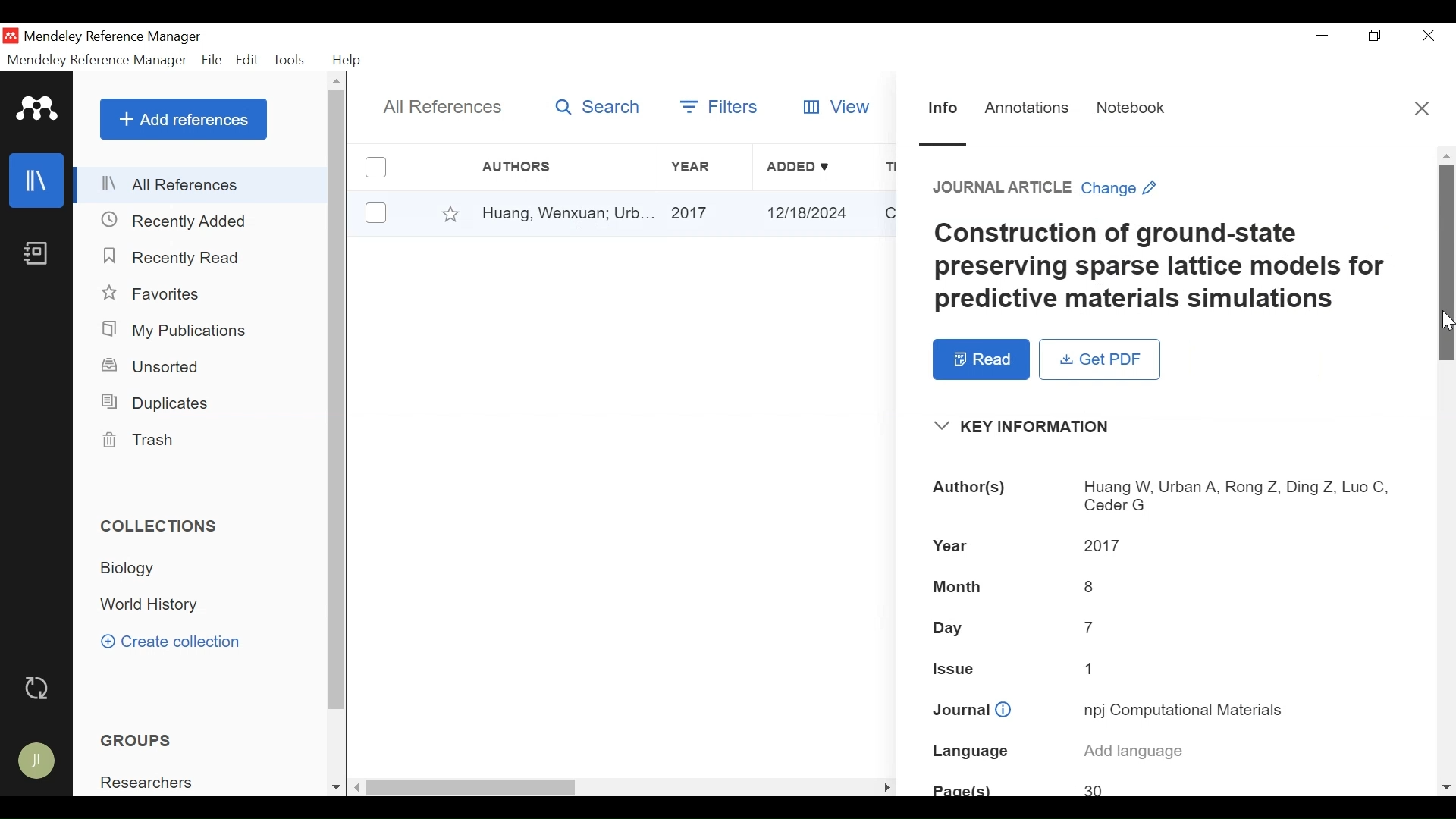  Describe the element at coordinates (176, 258) in the screenshot. I see `Recently Read` at that location.